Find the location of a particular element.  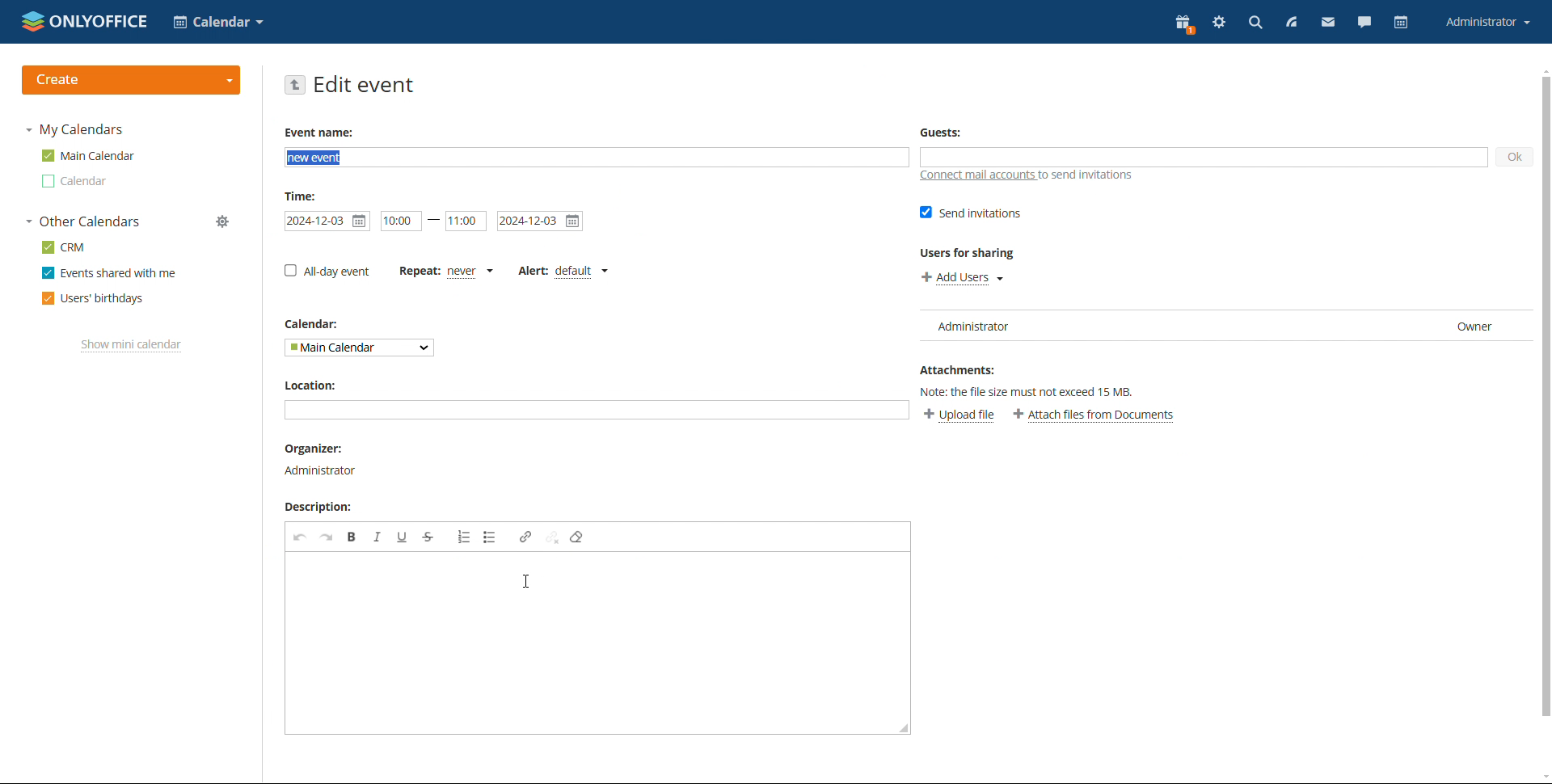

Attachments: is located at coordinates (959, 368).